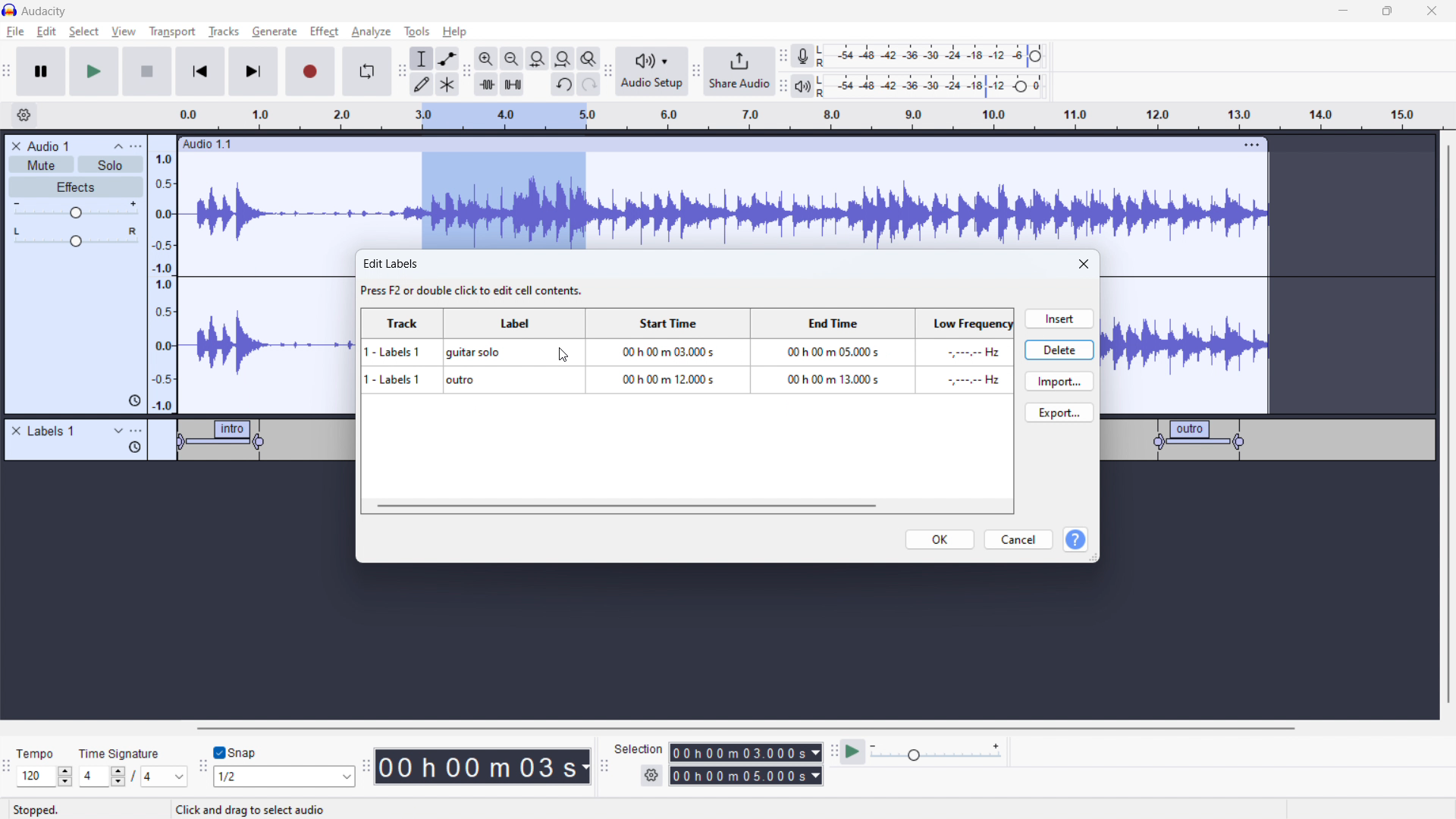  I want to click on stopped., so click(45, 808).